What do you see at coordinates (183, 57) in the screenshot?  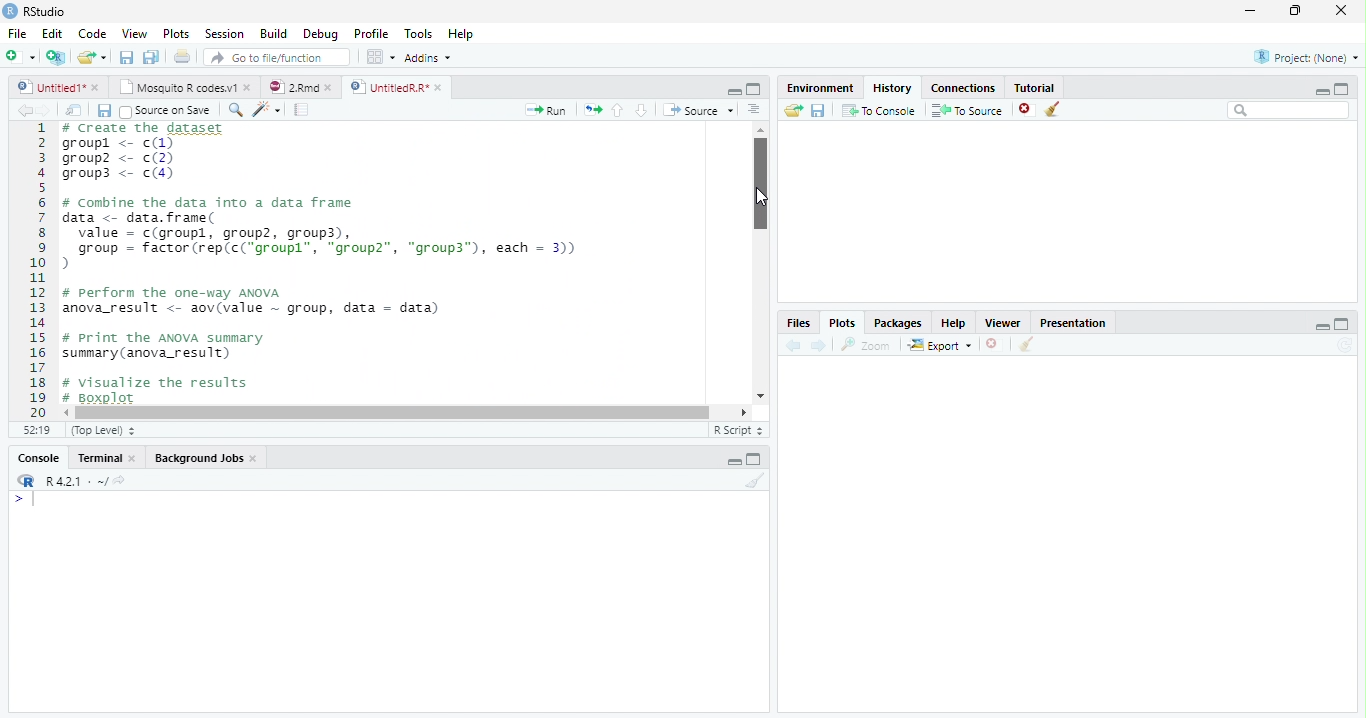 I see `Print  the current file` at bounding box center [183, 57].